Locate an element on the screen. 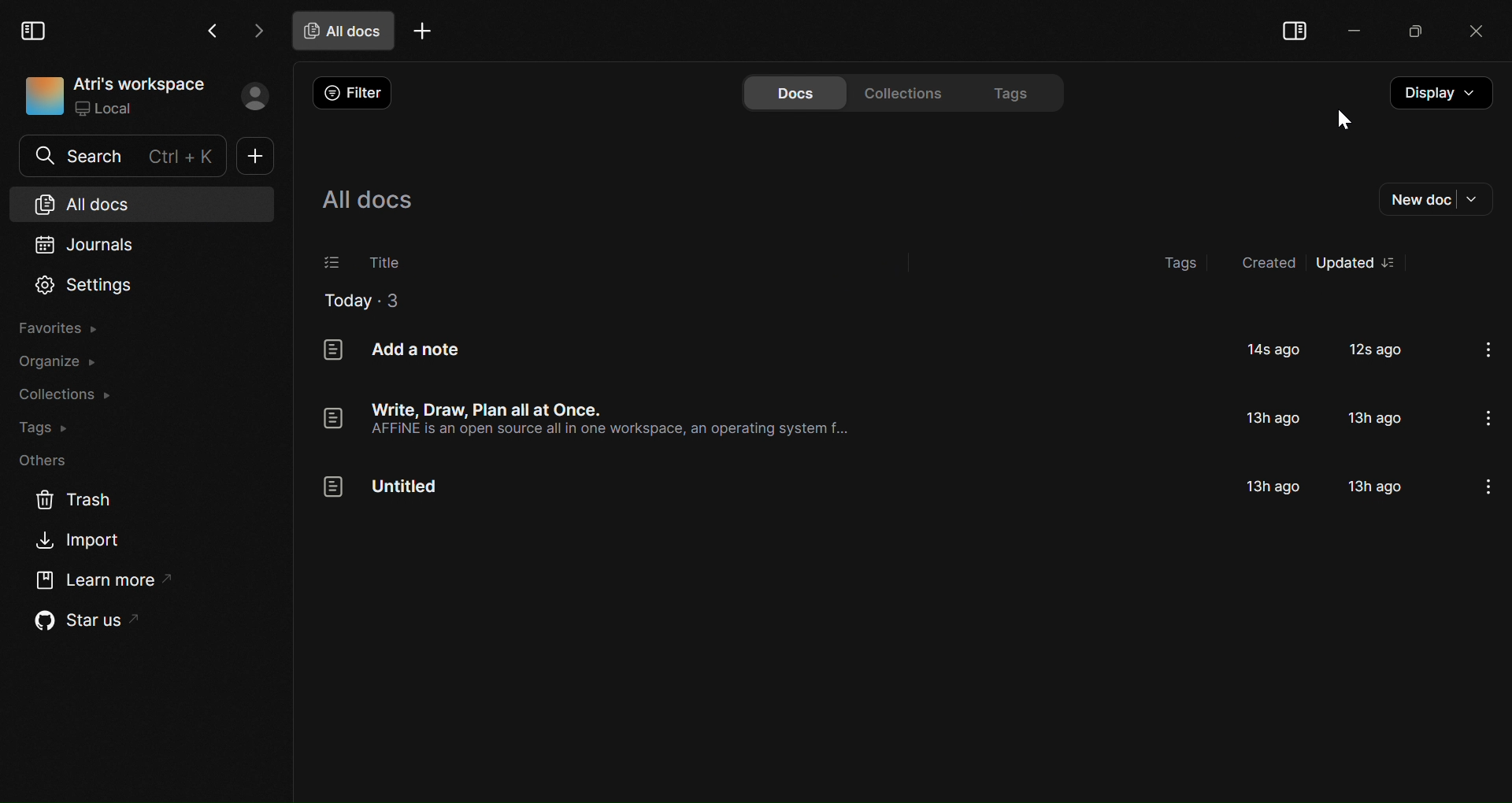  Collections is located at coordinates (909, 91).